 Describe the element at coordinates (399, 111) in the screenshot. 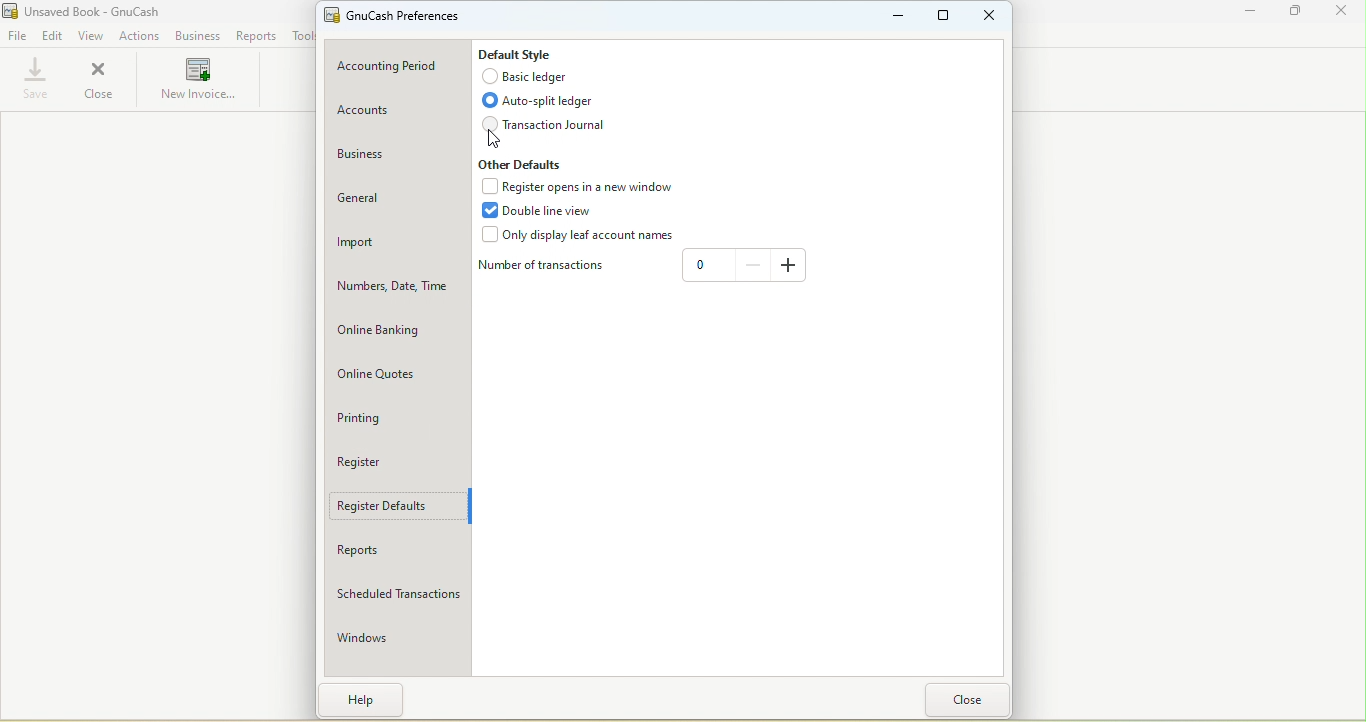

I see `Accounts` at that location.